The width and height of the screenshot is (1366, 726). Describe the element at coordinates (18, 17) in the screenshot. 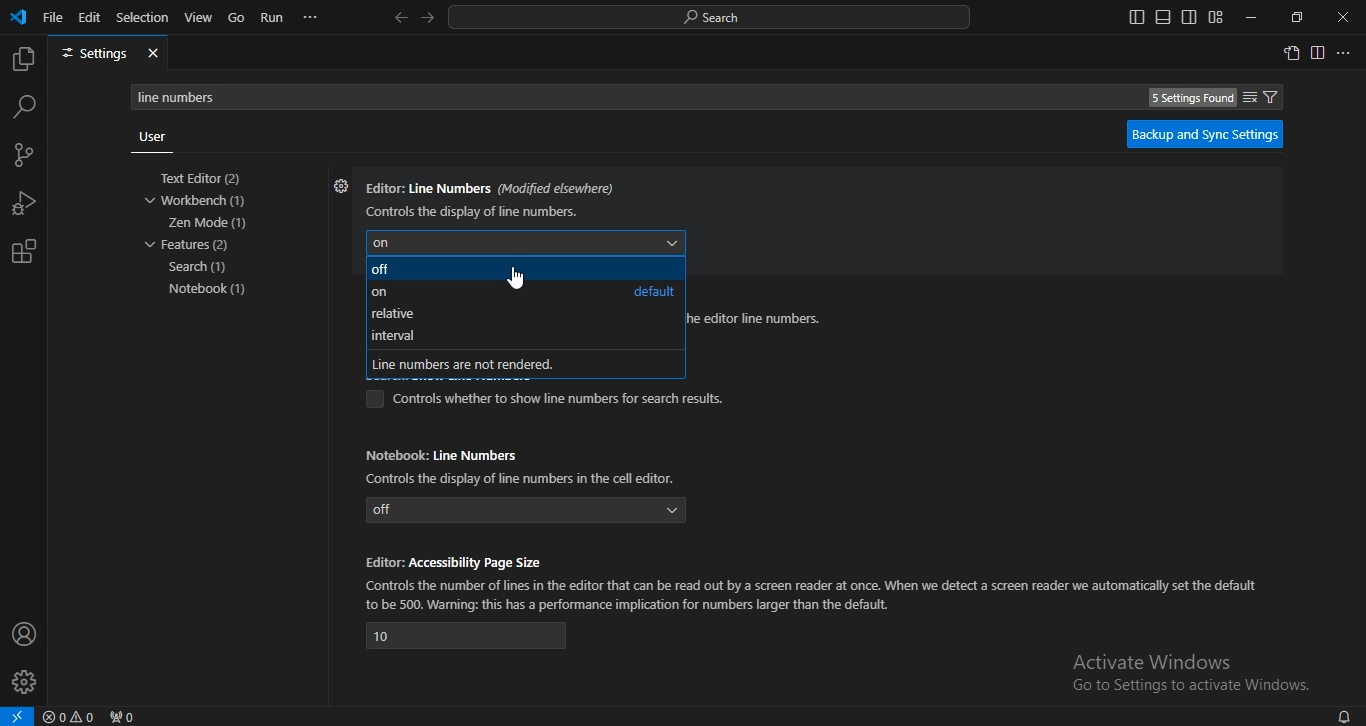

I see `VSCode` at that location.